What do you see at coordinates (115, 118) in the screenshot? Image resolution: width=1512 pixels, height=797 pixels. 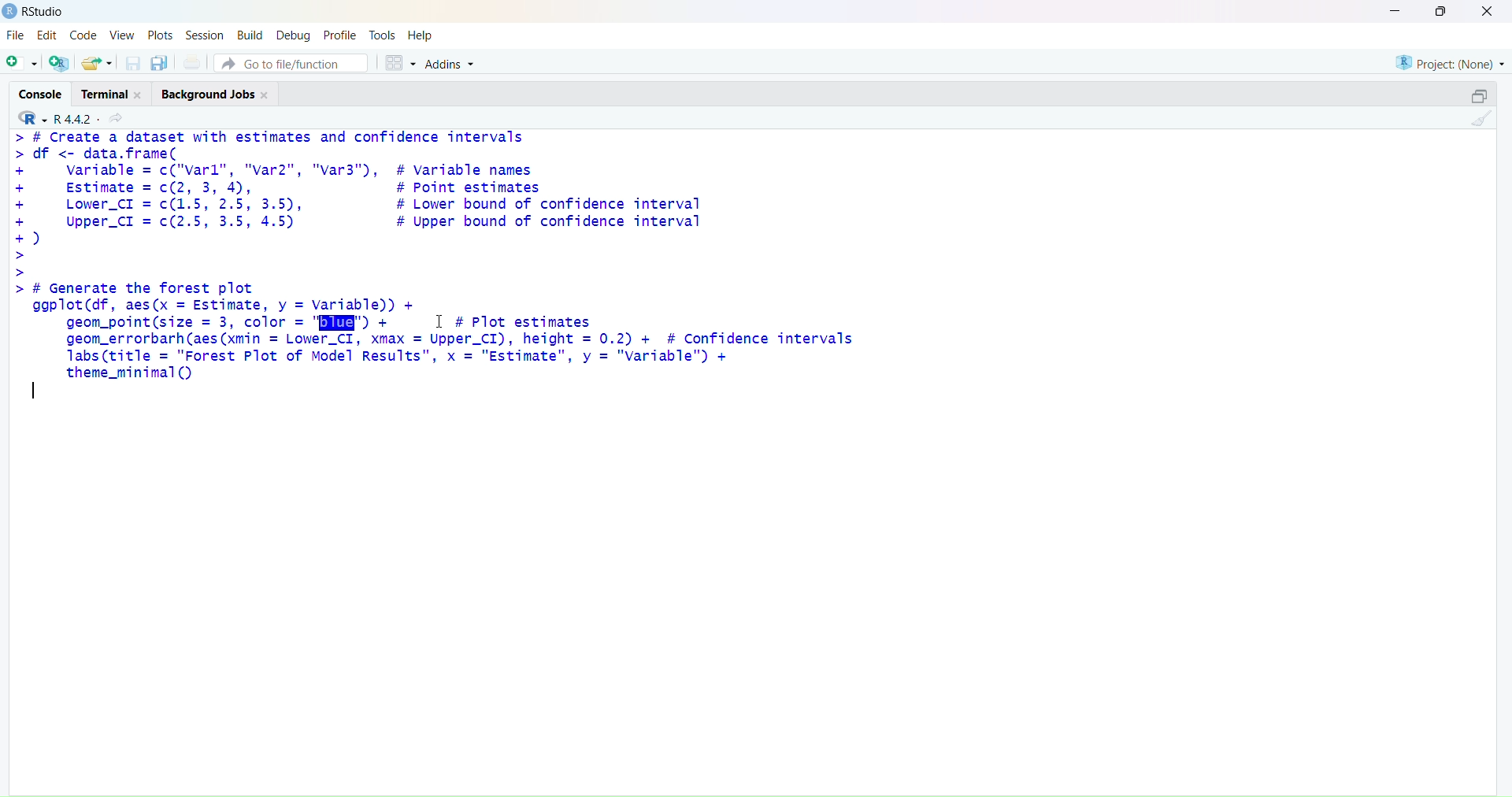 I see `share current directory` at bounding box center [115, 118].